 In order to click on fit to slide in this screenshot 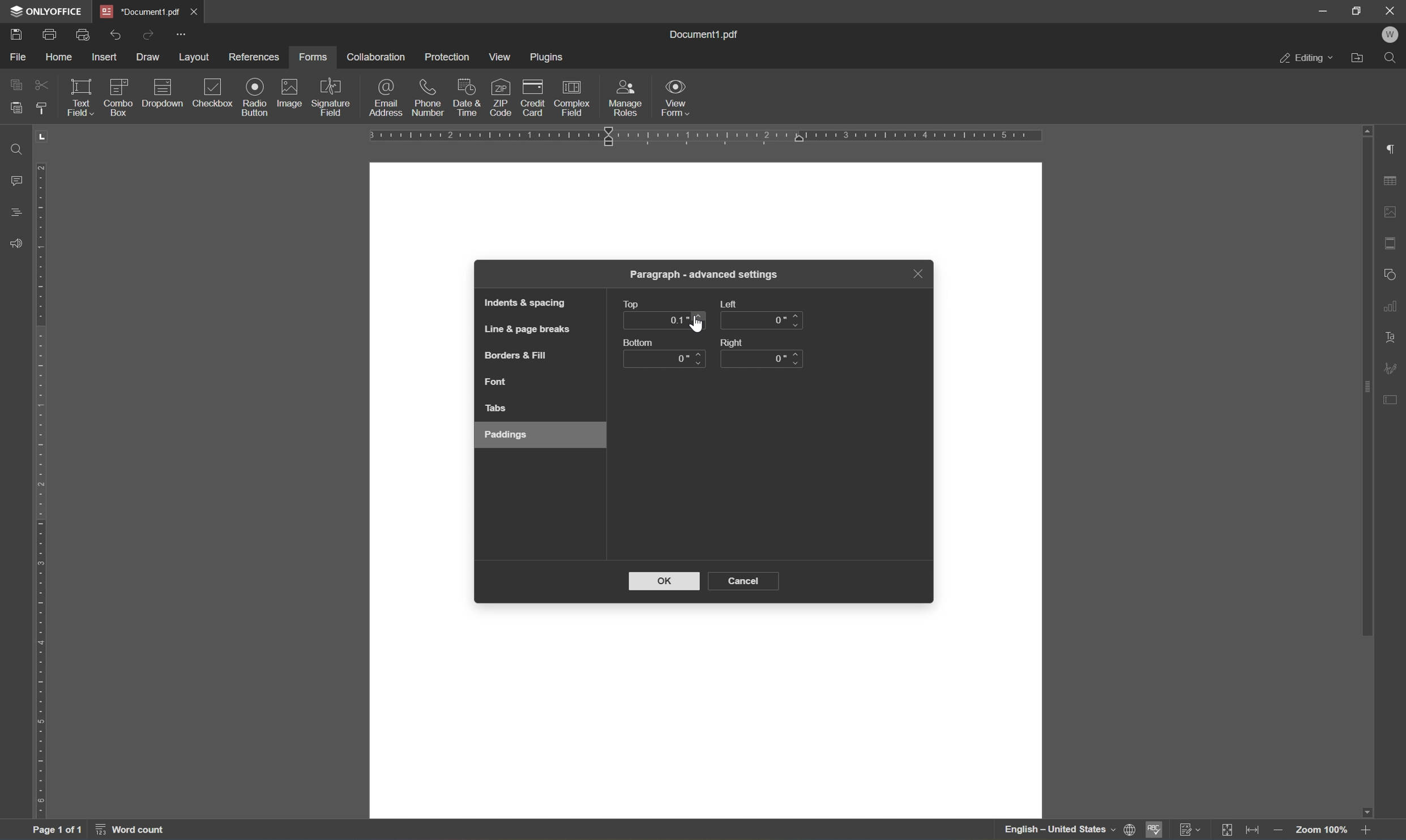, I will do `click(1228, 830)`.